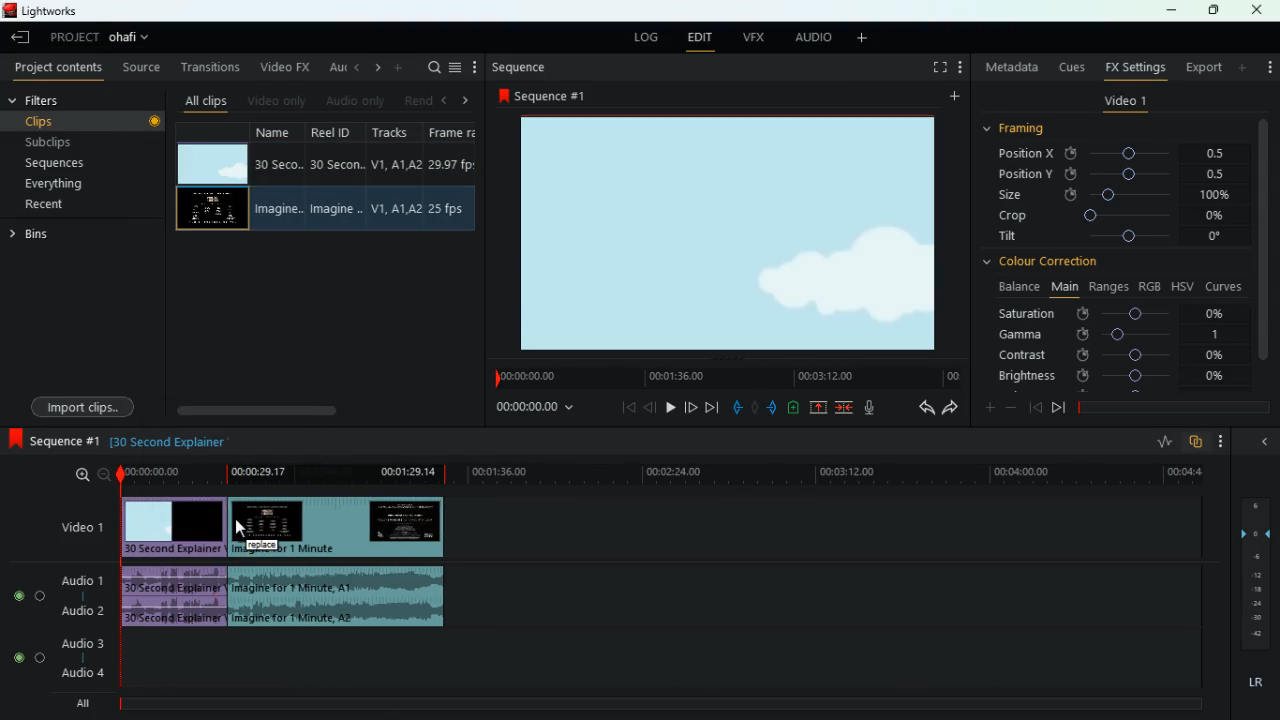  Describe the element at coordinates (866, 39) in the screenshot. I see `more` at that location.